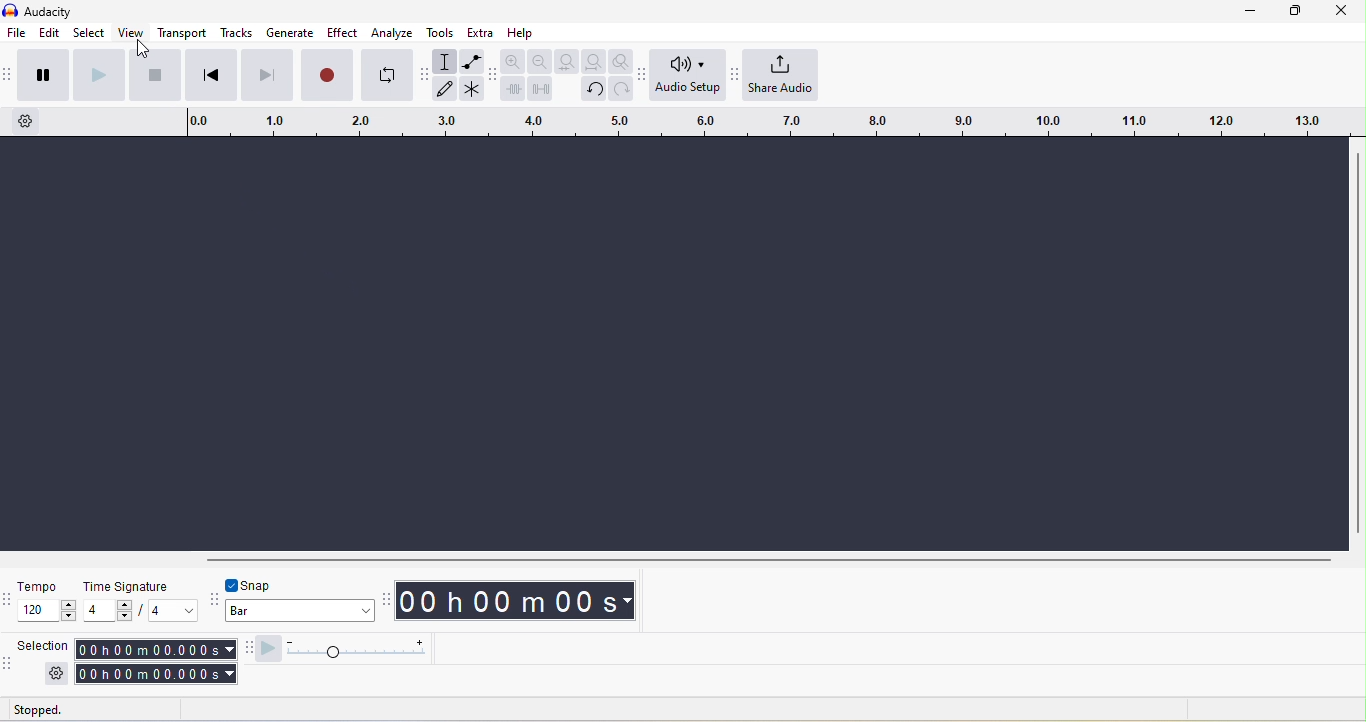  I want to click on zoom tool, so click(620, 61).